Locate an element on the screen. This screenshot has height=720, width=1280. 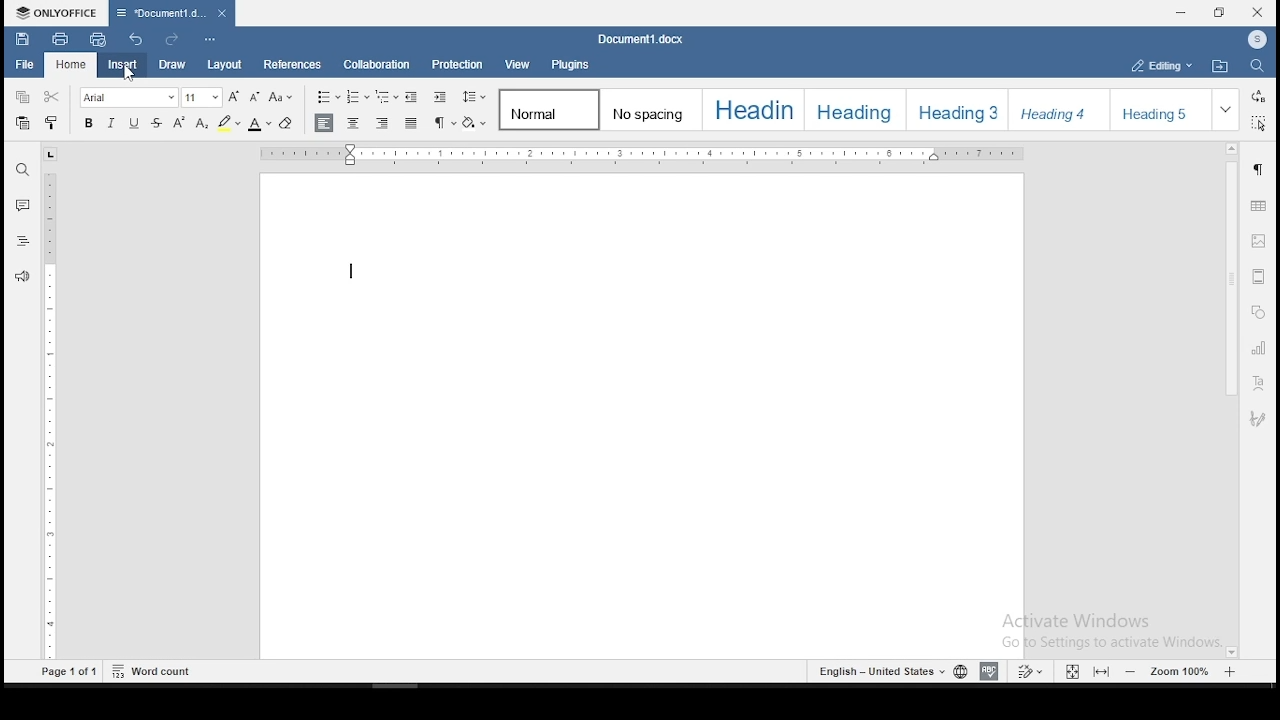
minimize is located at coordinates (1183, 12).